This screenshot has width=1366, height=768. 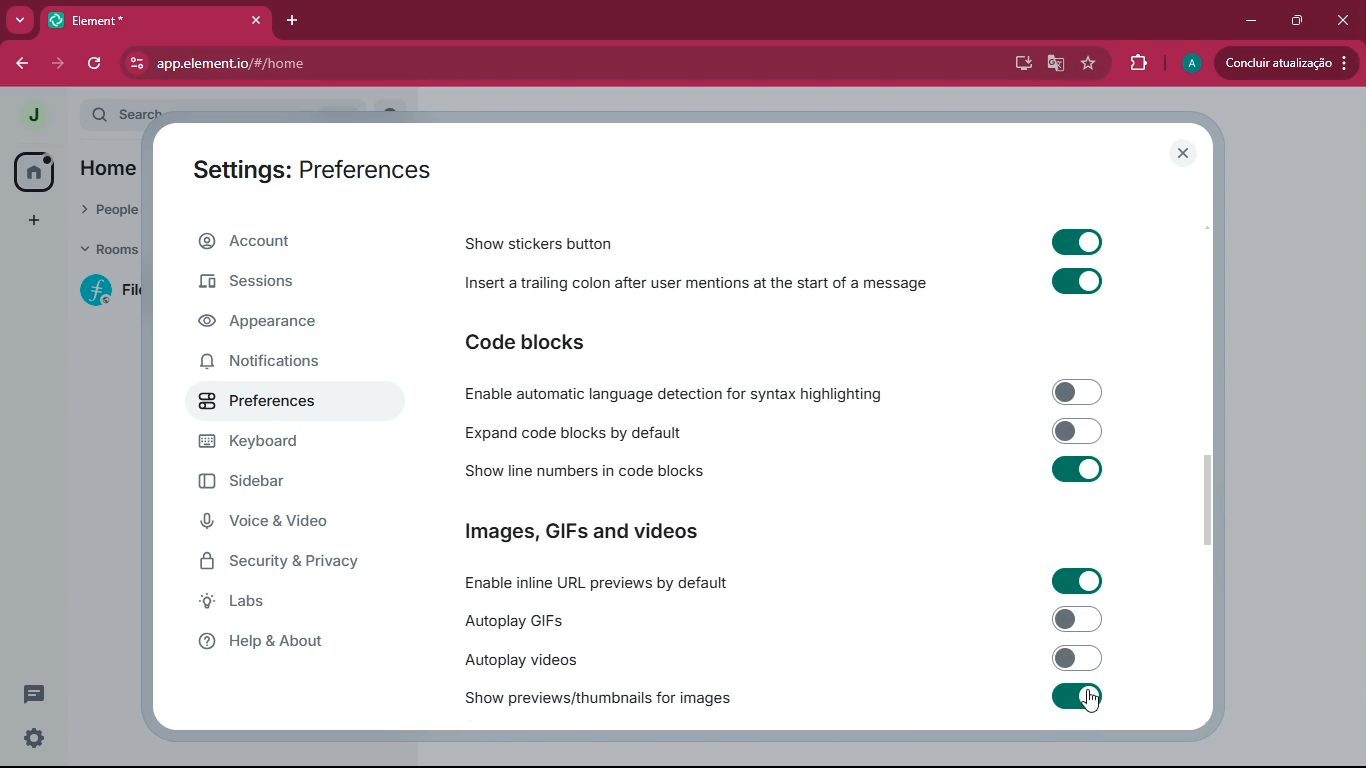 What do you see at coordinates (56, 65) in the screenshot?
I see `forward` at bounding box center [56, 65].